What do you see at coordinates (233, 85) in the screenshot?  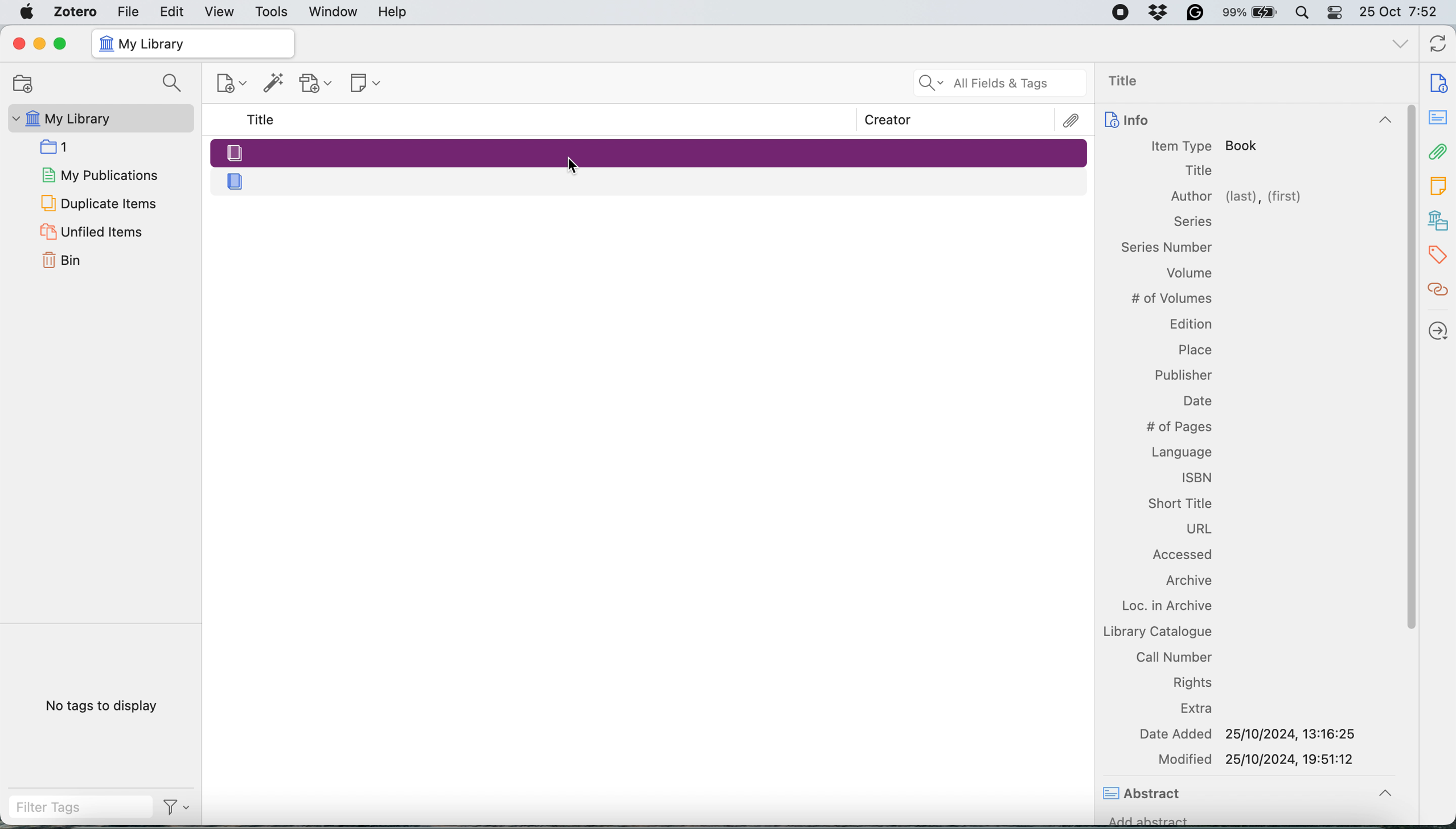 I see `New Item` at bounding box center [233, 85].